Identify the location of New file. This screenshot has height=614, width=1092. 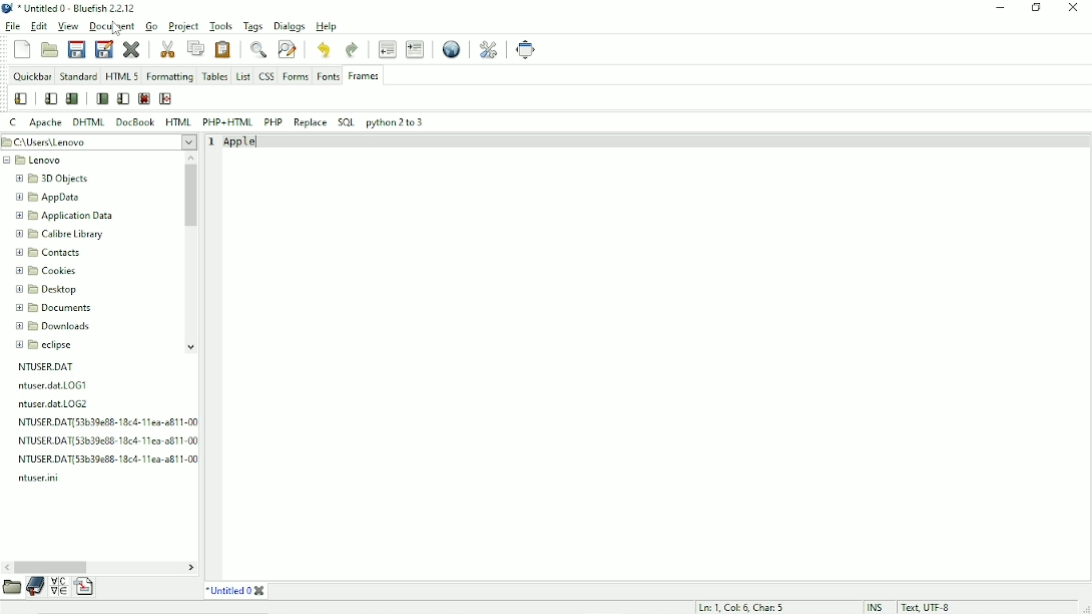
(21, 48).